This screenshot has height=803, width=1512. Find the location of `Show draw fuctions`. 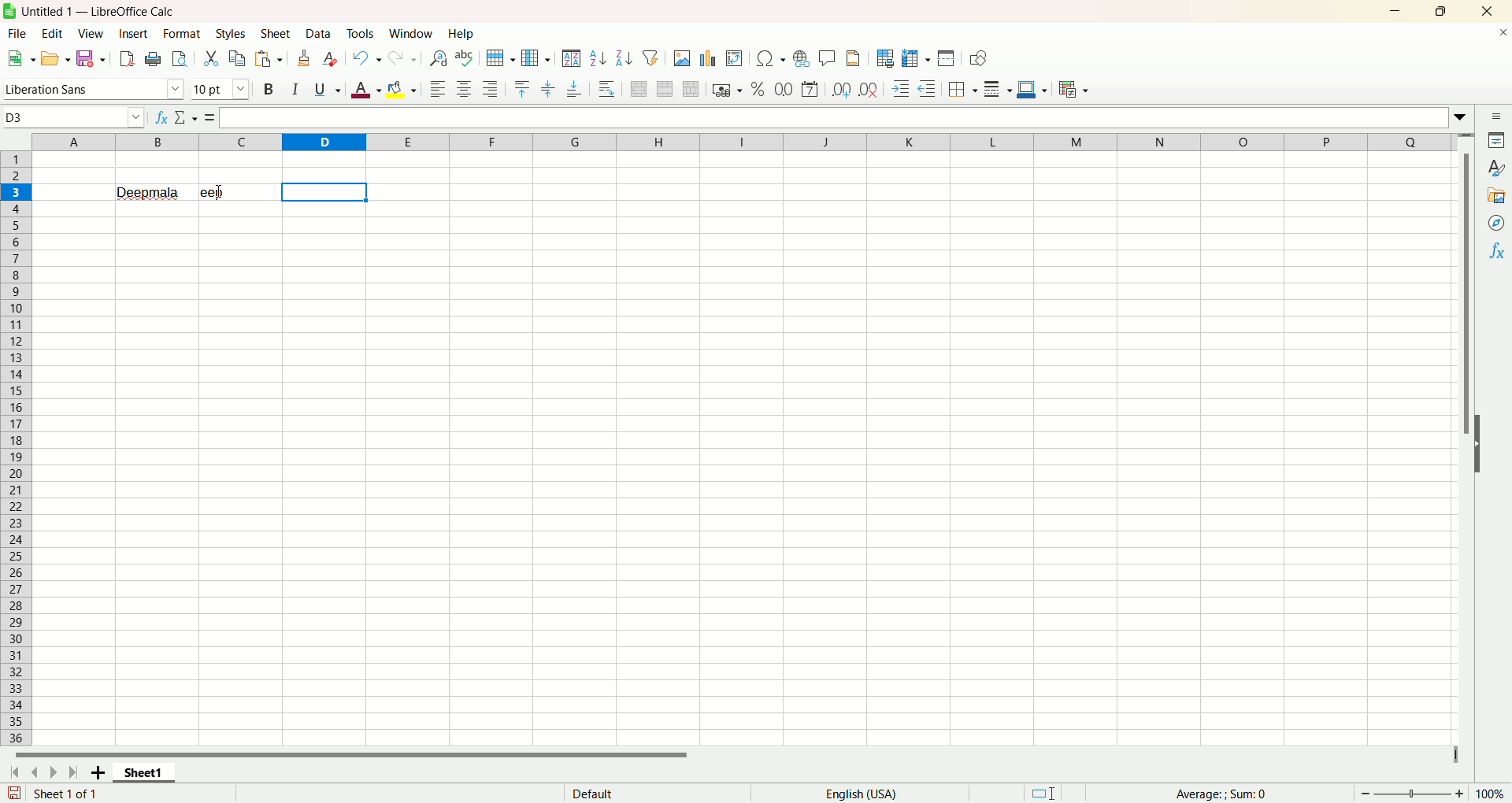

Show draw fuctions is located at coordinates (980, 59).